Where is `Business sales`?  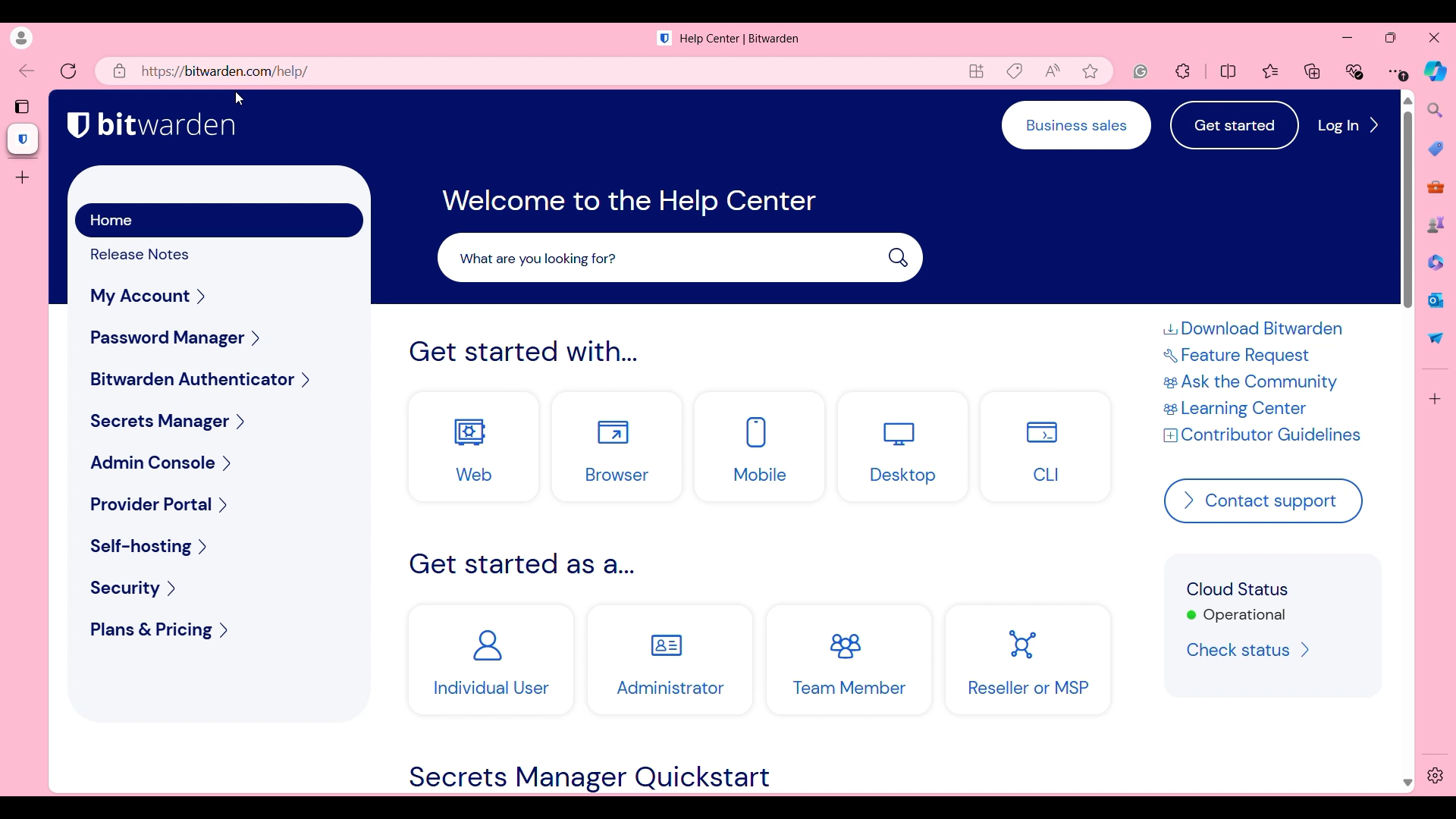
Business sales is located at coordinates (1077, 125).